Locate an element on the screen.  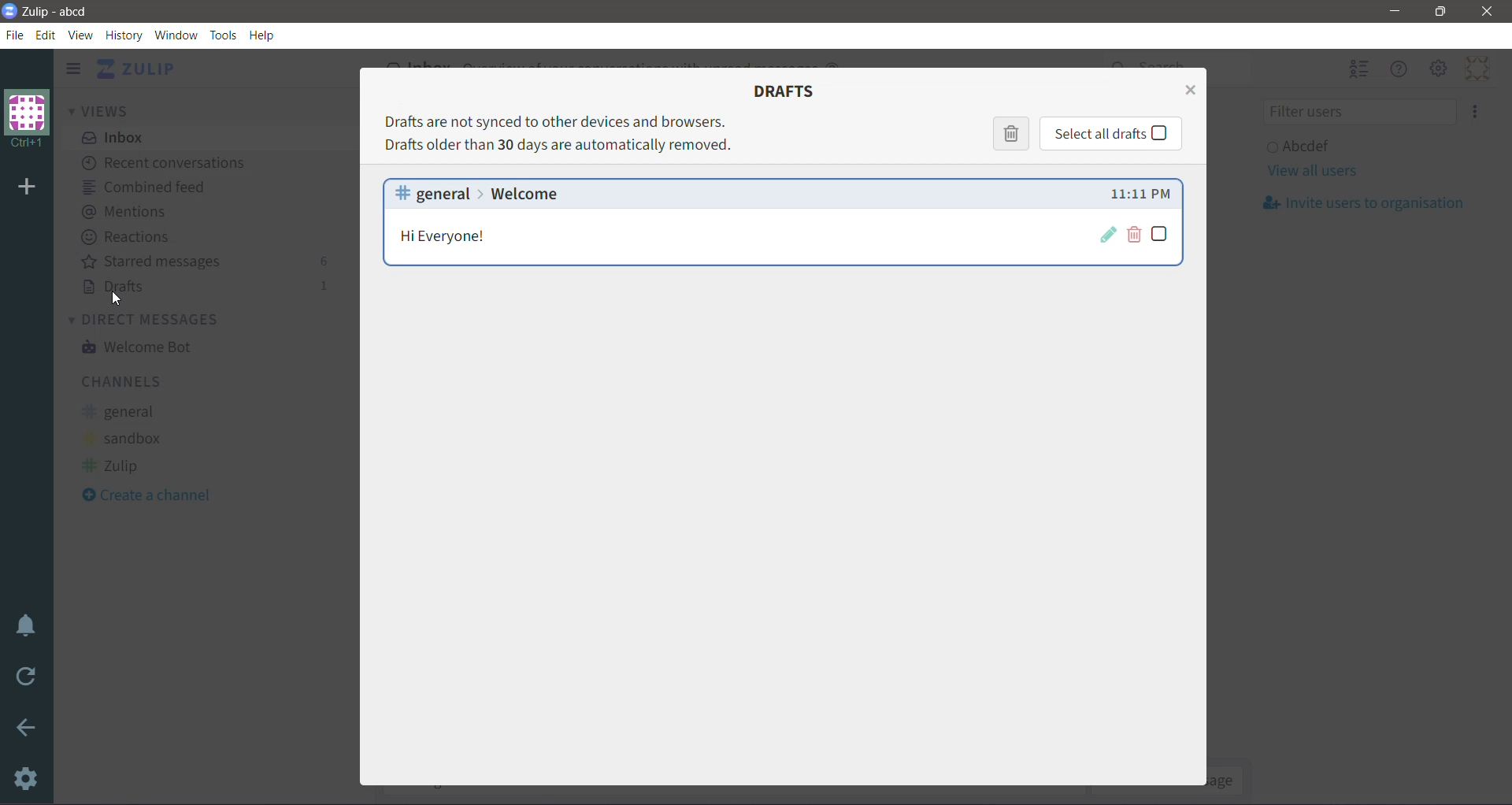
Reload is located at coordinates (29, 677).